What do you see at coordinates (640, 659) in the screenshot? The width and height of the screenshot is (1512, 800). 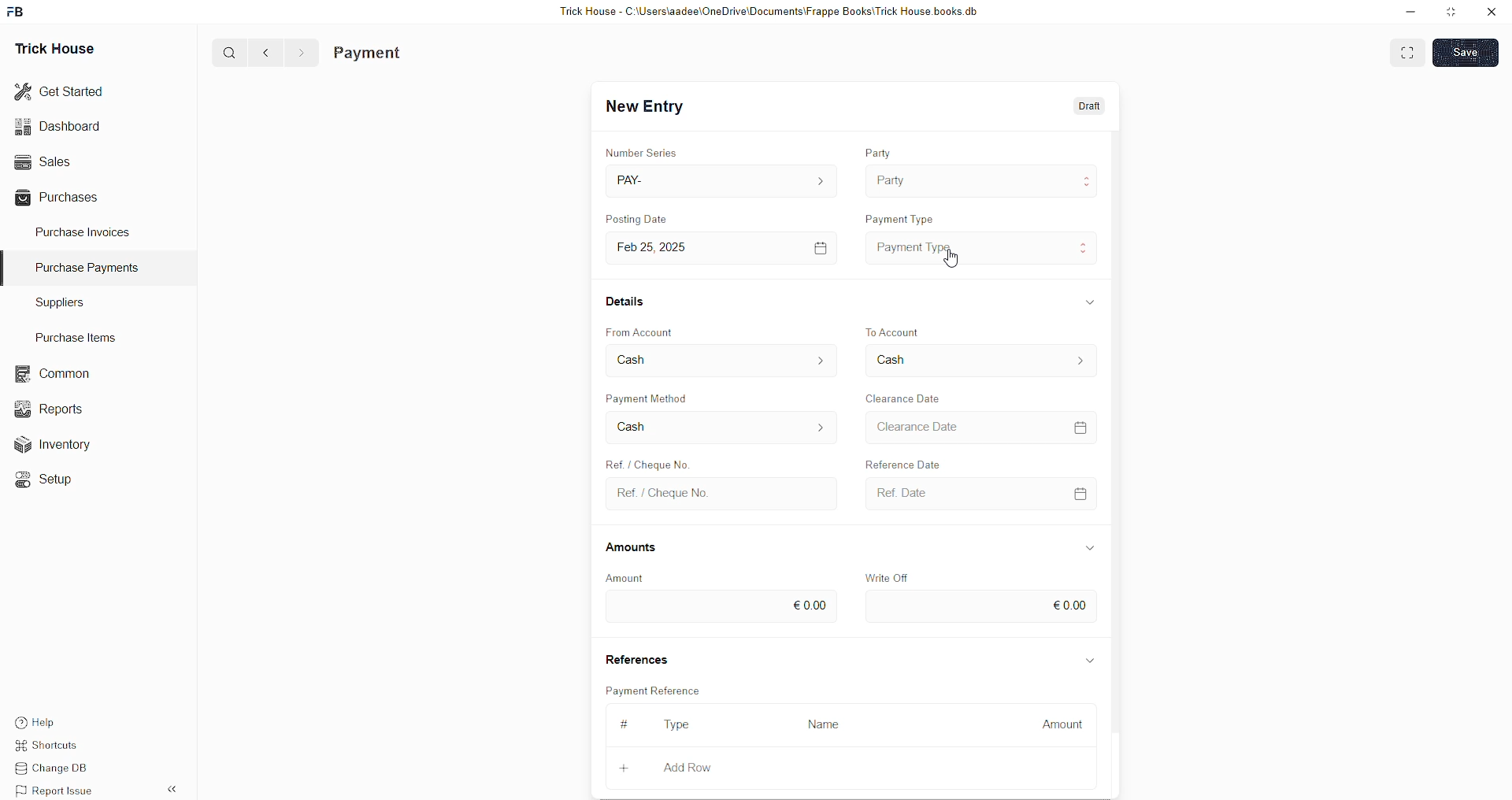 I see `References` at bounding box center [640, 659].